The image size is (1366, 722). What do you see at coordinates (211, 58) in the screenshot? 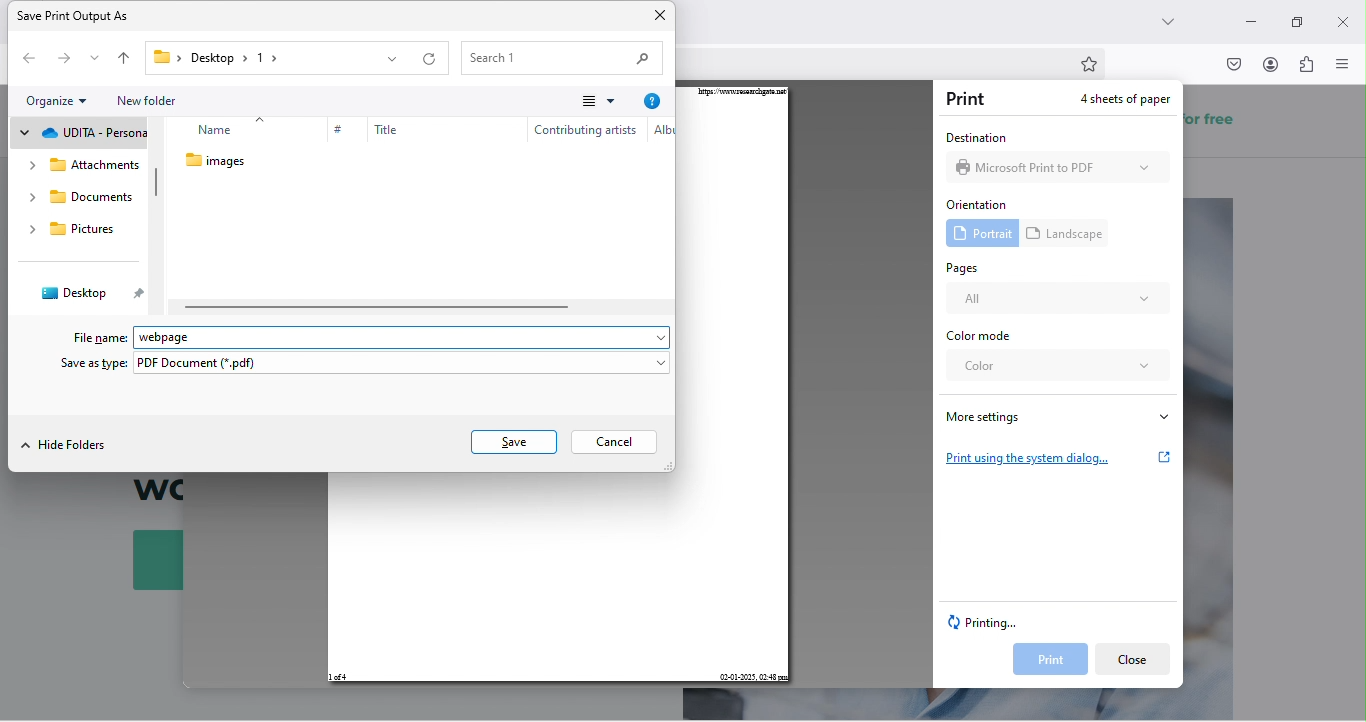
I see `desktop 1` at bounding box center [211, 58].